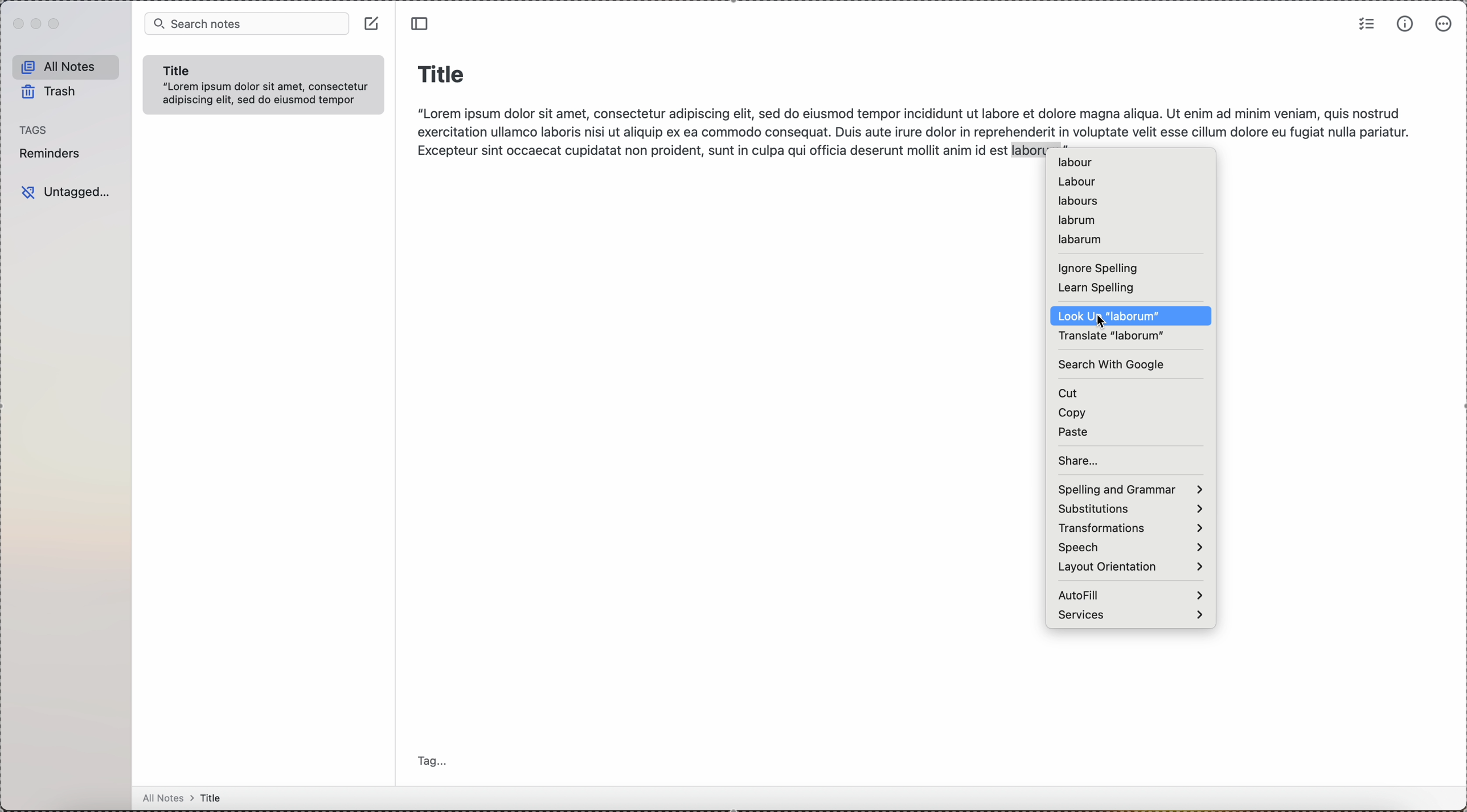 This screenshot has height=812, width=1467. What do you see at coordinates (54, 91) in the screenshot?
I see `trash` at bounding box center [54, 91].